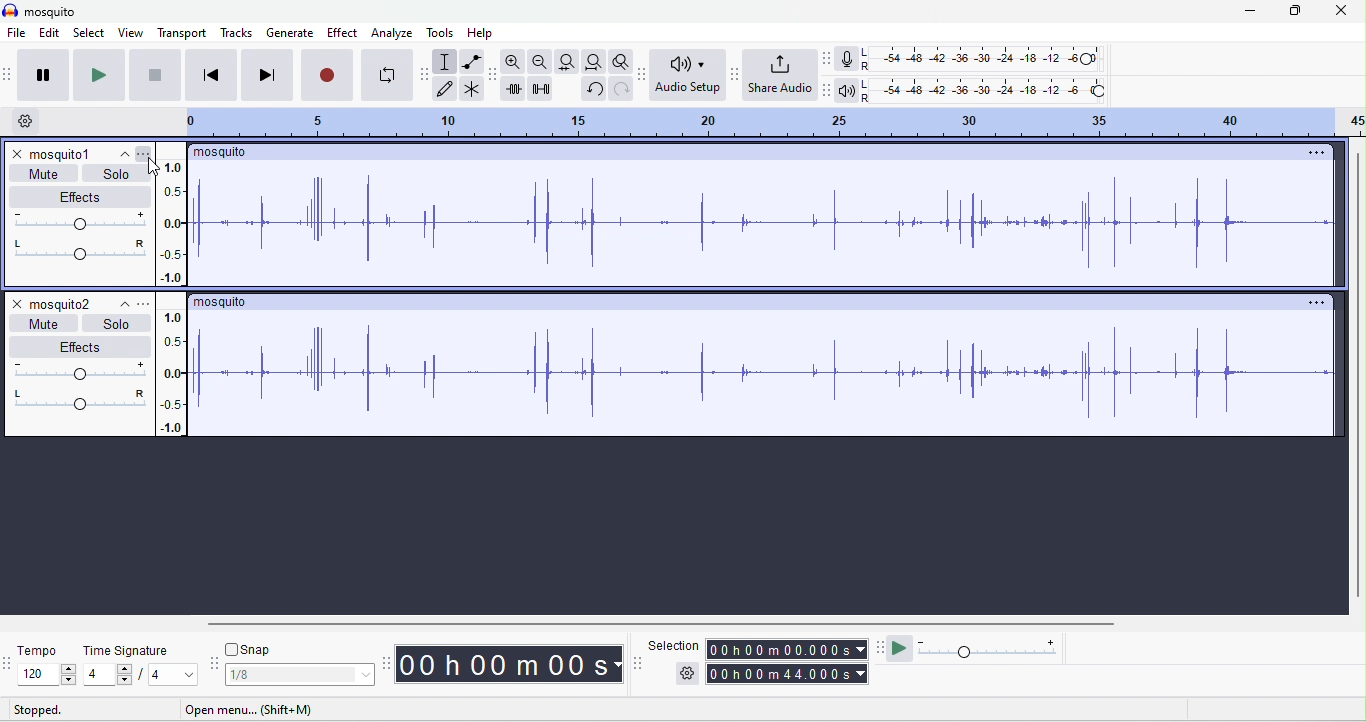 This screenshot has width=1366, height=722. Describe the element at coordinates (45, 674) in the screenshot. I see `select tempo` at that location.